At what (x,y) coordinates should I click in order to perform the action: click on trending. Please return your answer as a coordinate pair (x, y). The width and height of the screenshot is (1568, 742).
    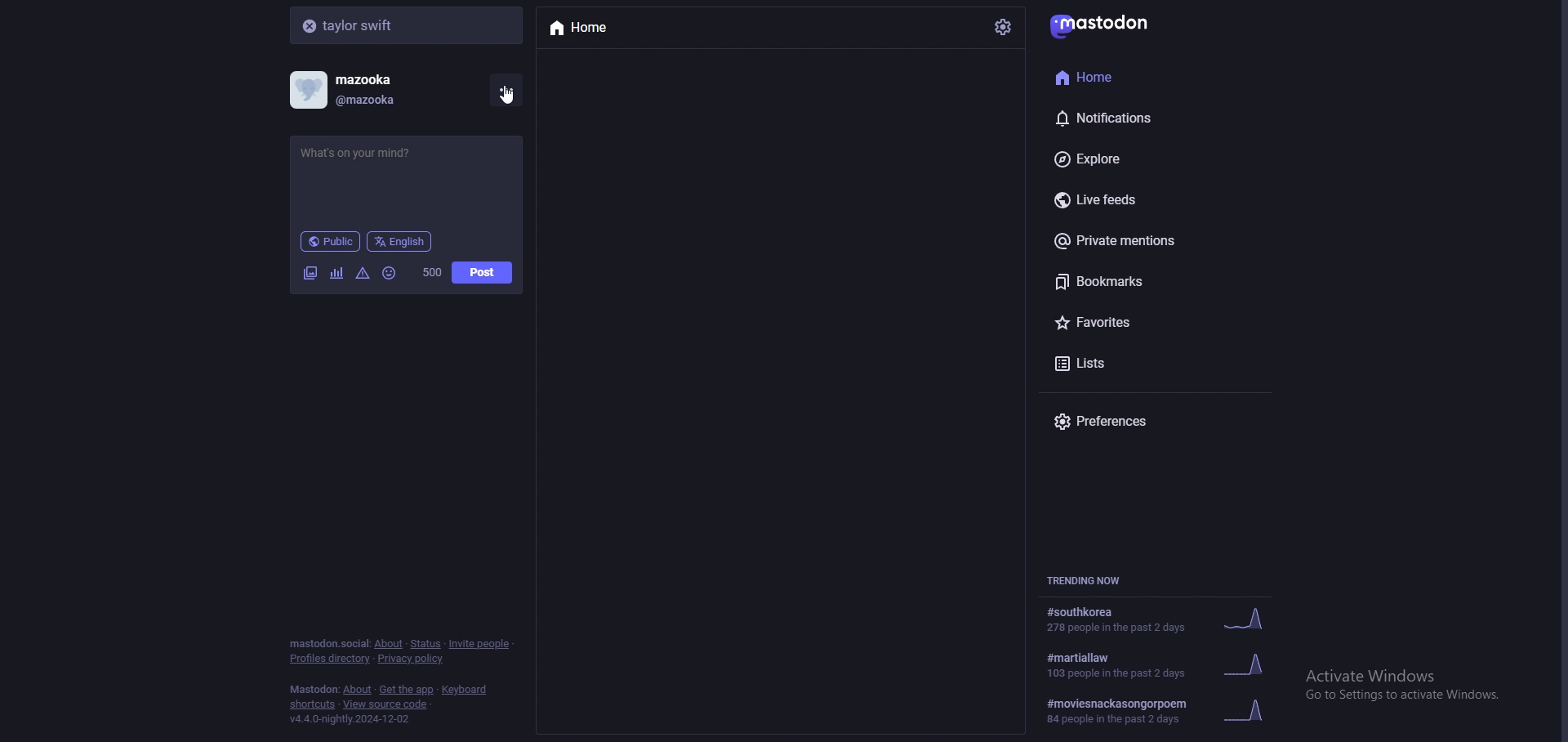
    Looking at the image, I should click on (1162, 621).